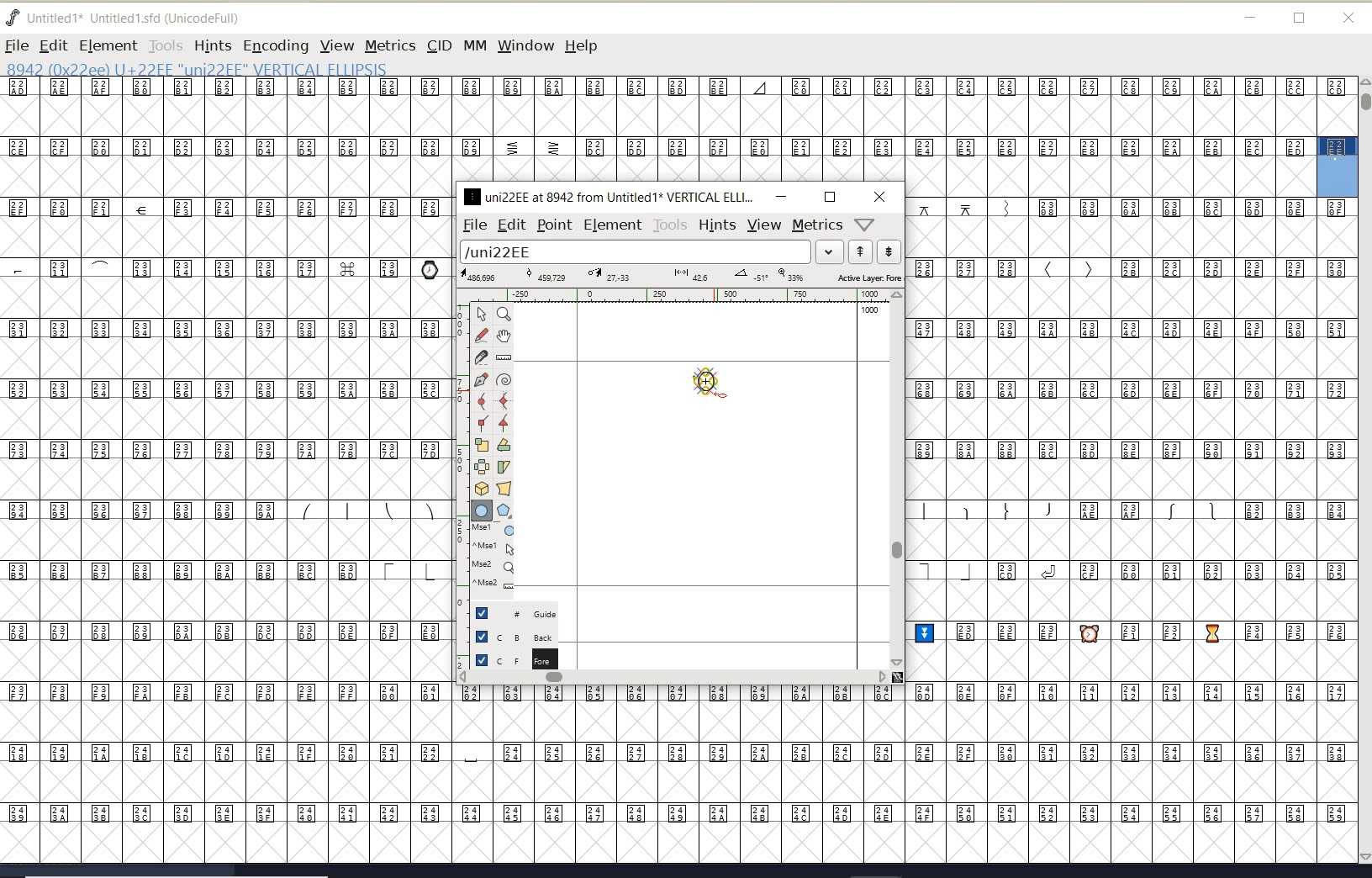 The image size is (1372, 878). What do you see at coordinates (1364, 472) in the screenshot?
I see `SCROLLBAR` at bounding box center [1364, 472].